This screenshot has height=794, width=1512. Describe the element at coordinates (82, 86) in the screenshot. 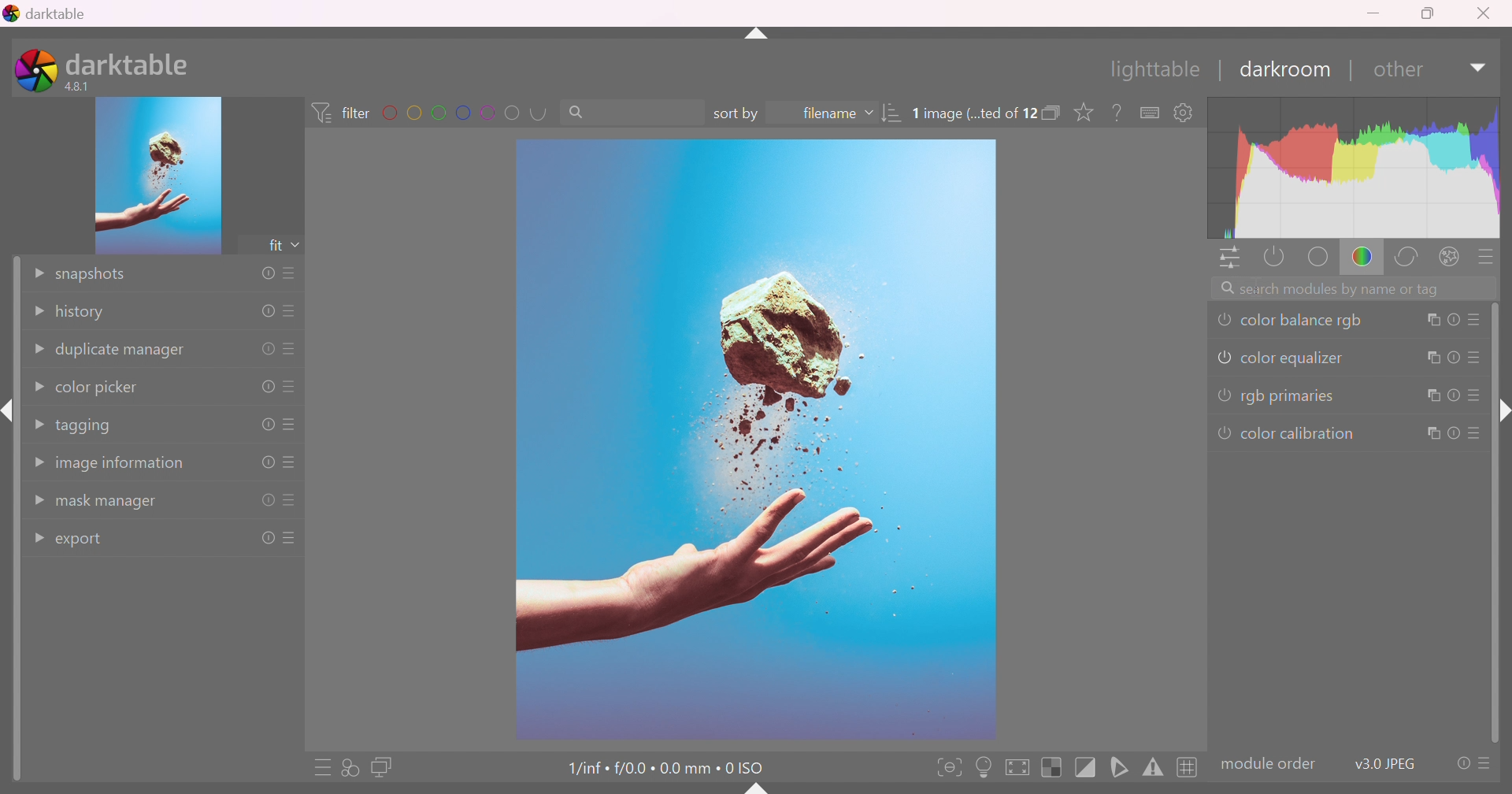

I see `4.8.1` at that location.